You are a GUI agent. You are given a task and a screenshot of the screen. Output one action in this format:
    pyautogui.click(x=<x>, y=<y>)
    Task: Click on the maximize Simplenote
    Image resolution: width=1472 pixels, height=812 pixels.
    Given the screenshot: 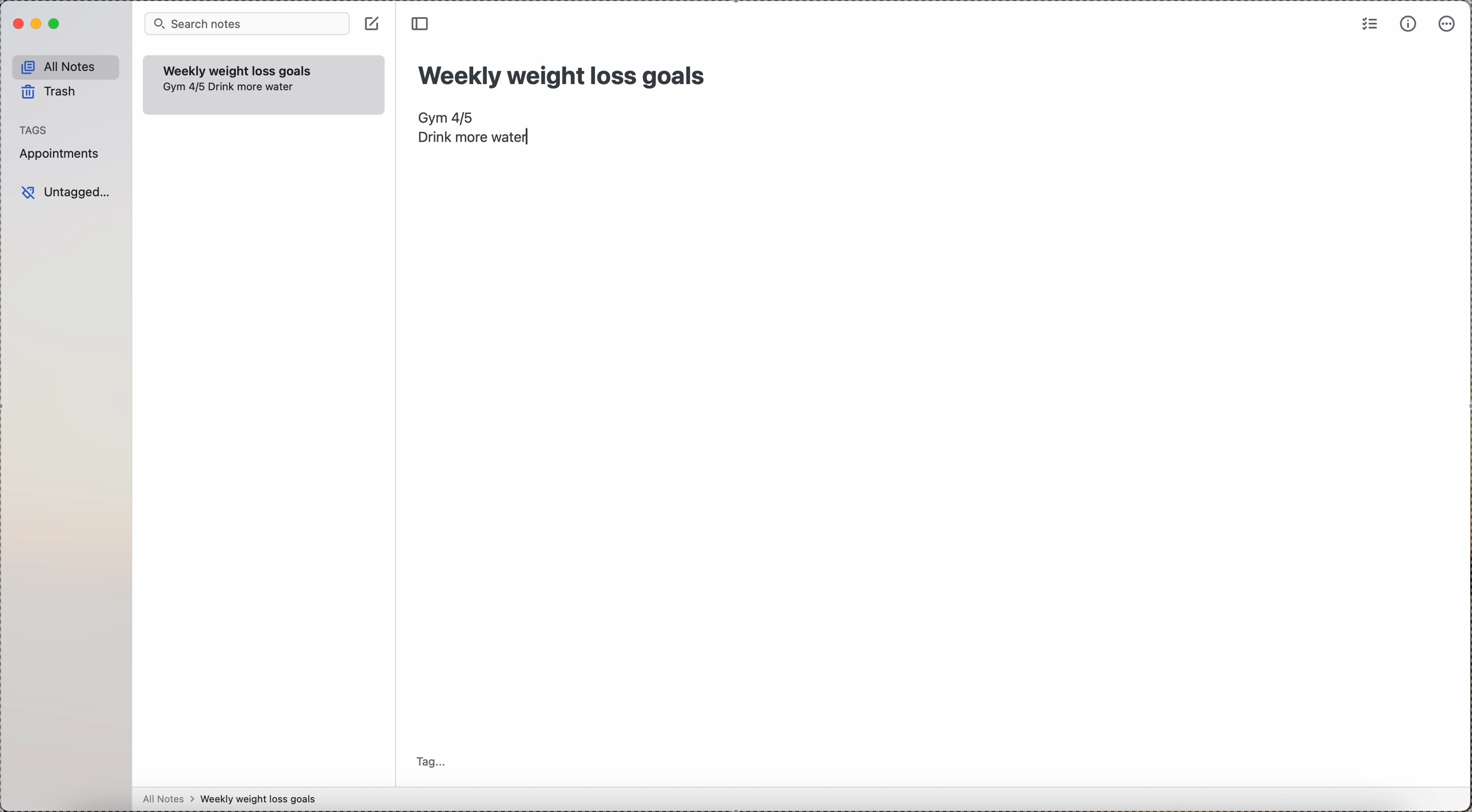 What is the action you would take?
    pyautogui.click(x=56, y=24)
    